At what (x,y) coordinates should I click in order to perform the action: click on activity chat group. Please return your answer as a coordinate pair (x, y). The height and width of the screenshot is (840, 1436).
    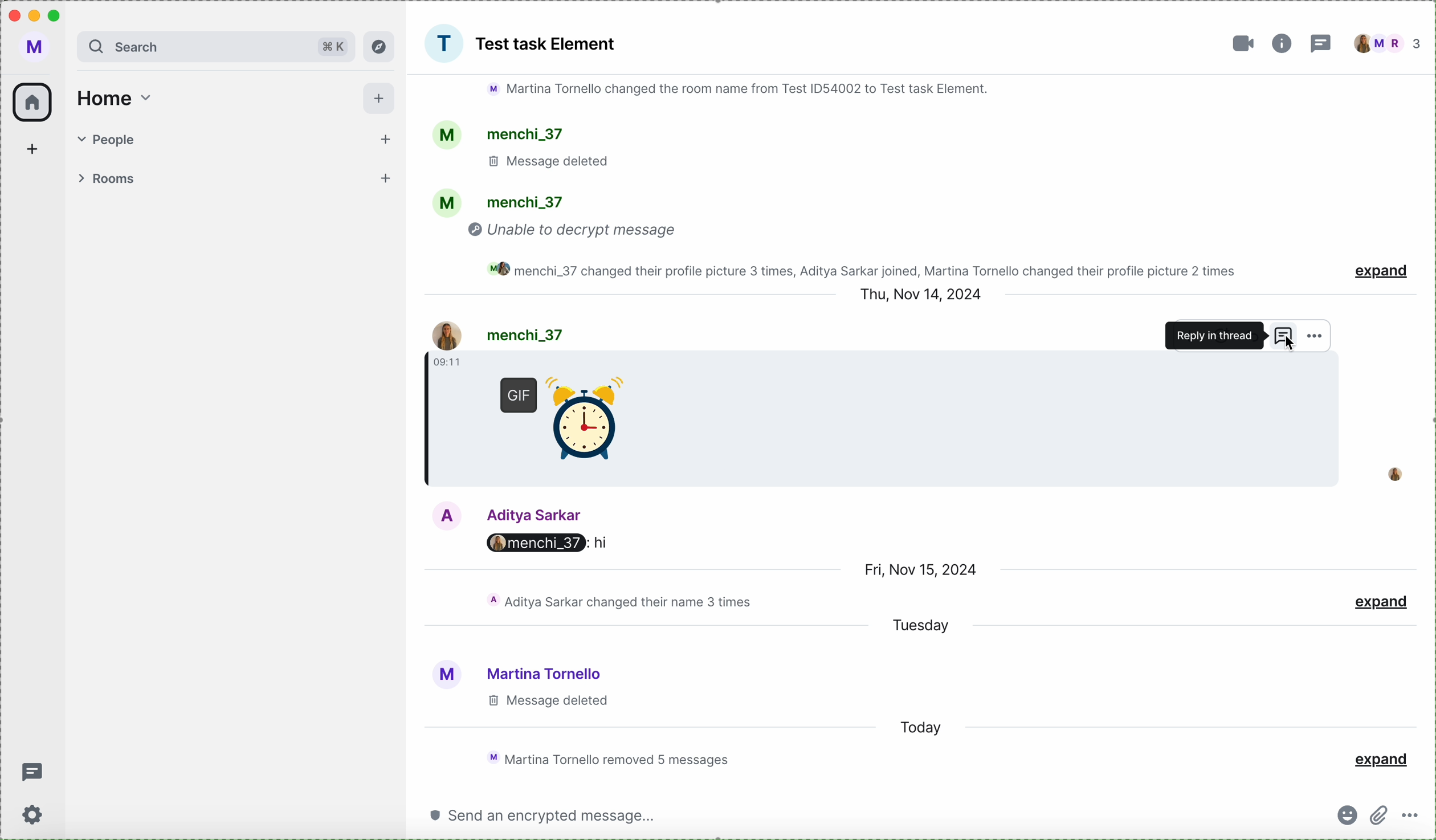
    Looking at the image, I should click on (837, 178).